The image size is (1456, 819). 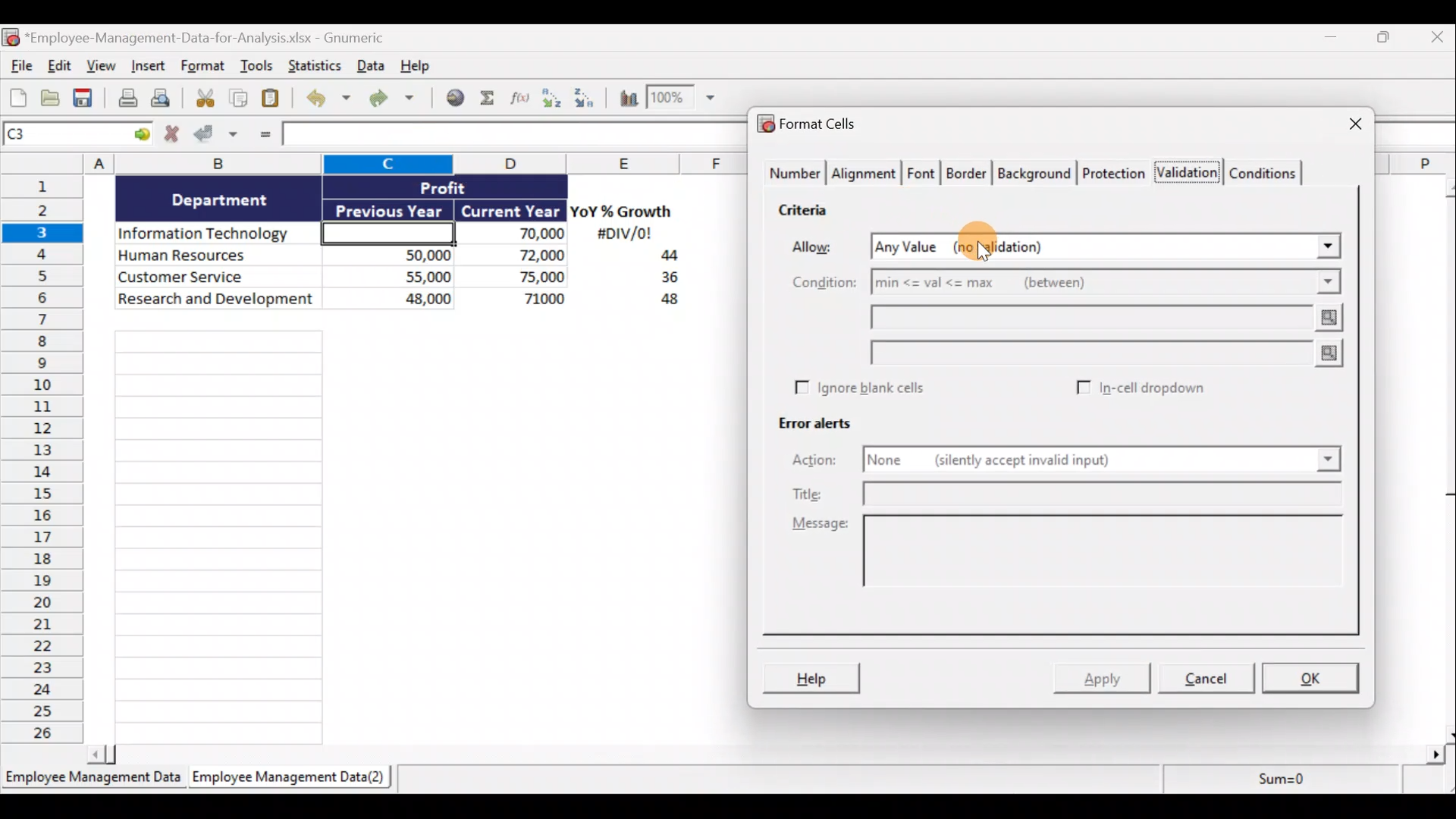 What do you see at coordinates (980, 242) in the screenshot?
I see `Cursor` at bounding box center [980, 242].